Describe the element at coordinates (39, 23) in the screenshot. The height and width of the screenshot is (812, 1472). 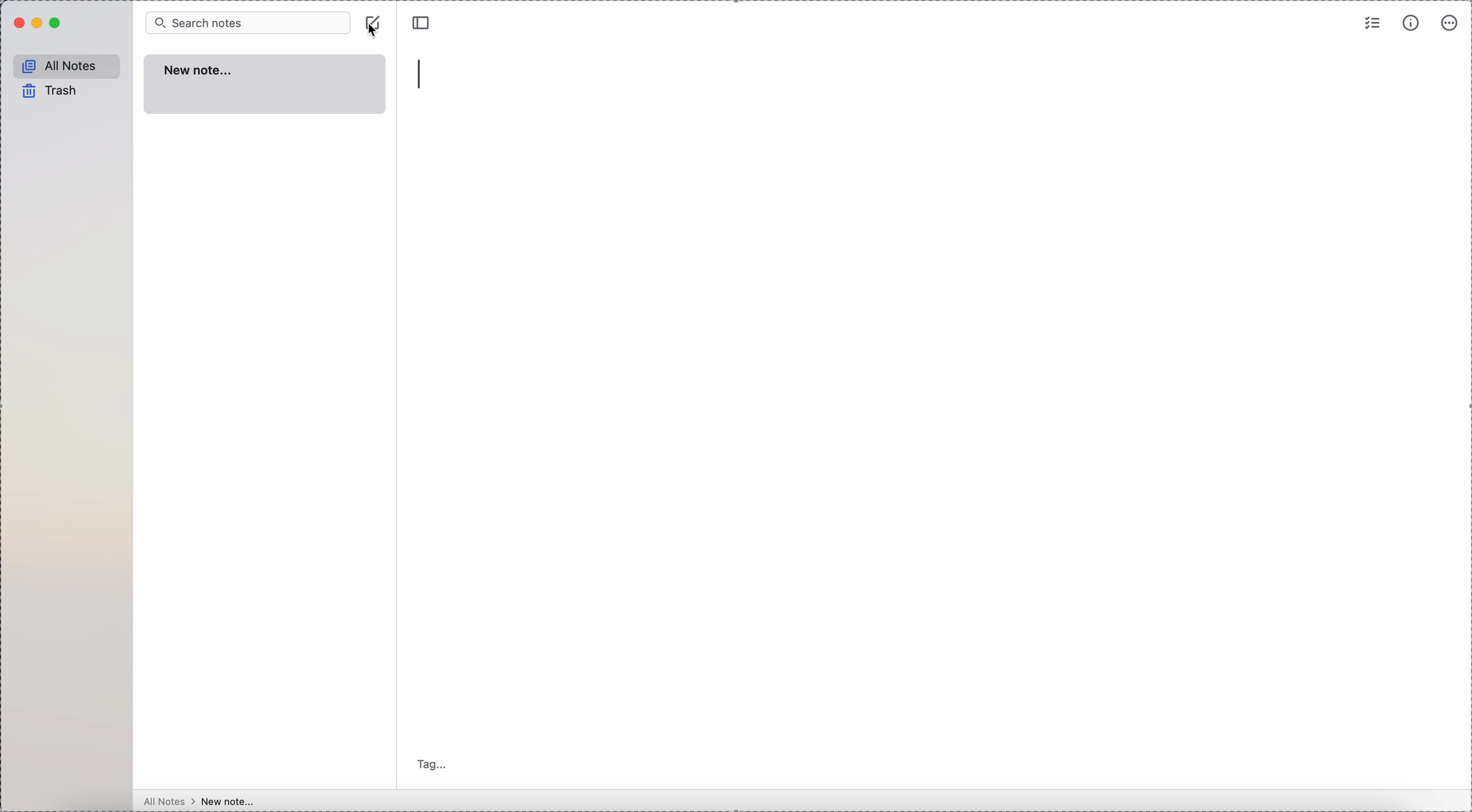
I see `minimize Simplenote` at that location.